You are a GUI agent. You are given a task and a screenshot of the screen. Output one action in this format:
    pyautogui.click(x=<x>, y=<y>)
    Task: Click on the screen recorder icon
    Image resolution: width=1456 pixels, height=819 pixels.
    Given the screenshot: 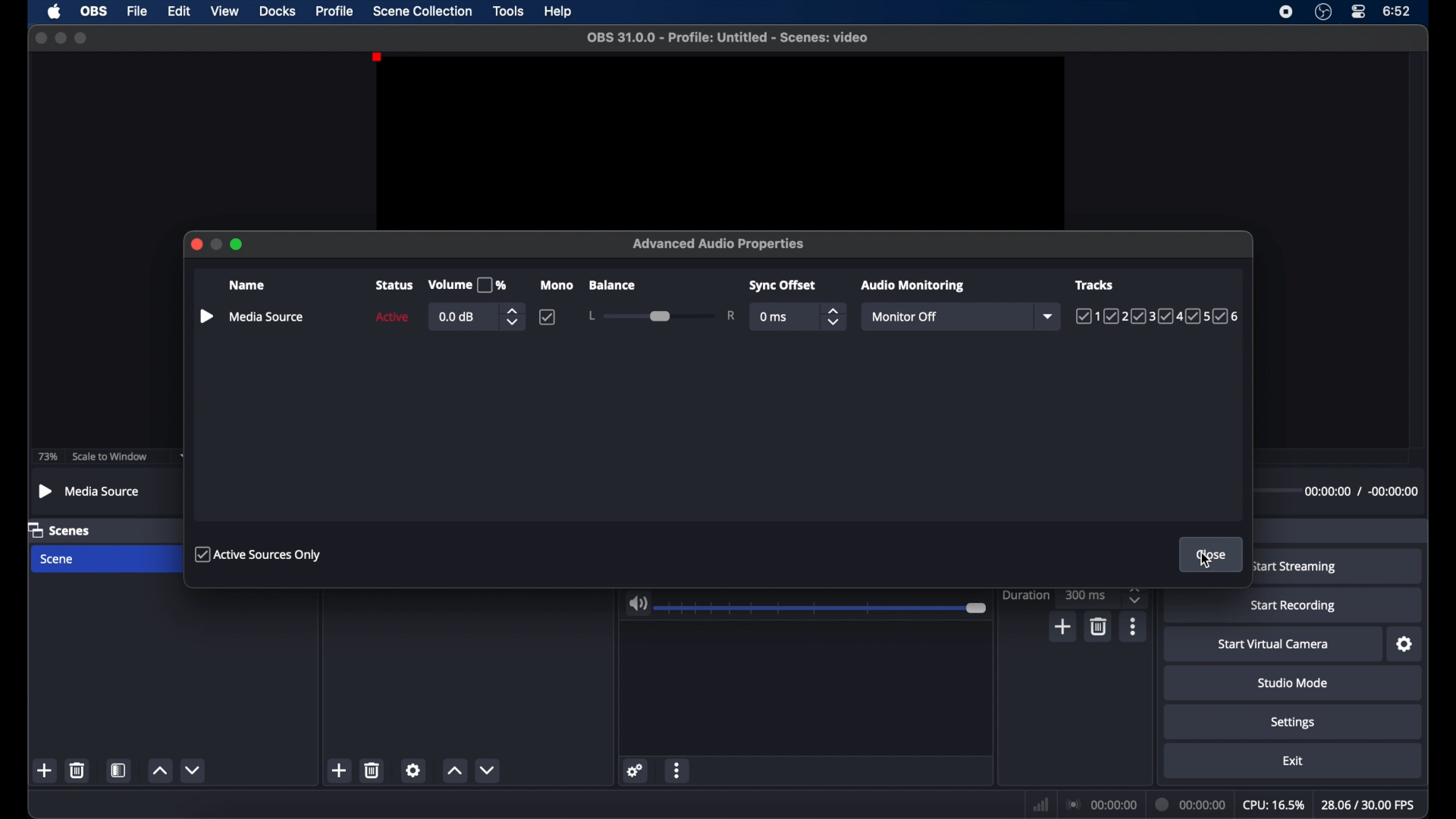 What is the action you would take?
    pyautogui.click(x=1286, y=12)
    